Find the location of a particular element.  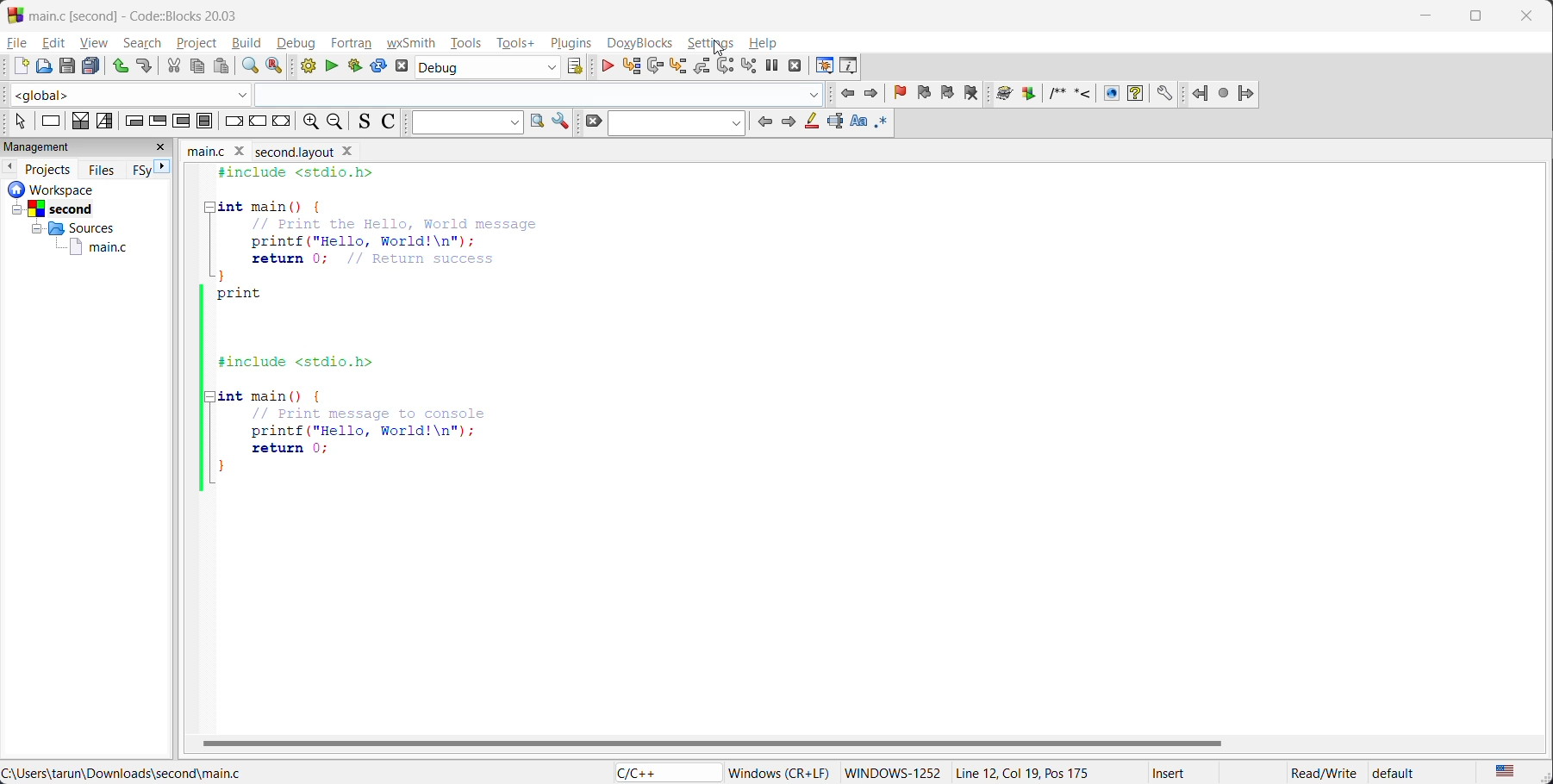

next bookmark is located at coordinates (950, 90).